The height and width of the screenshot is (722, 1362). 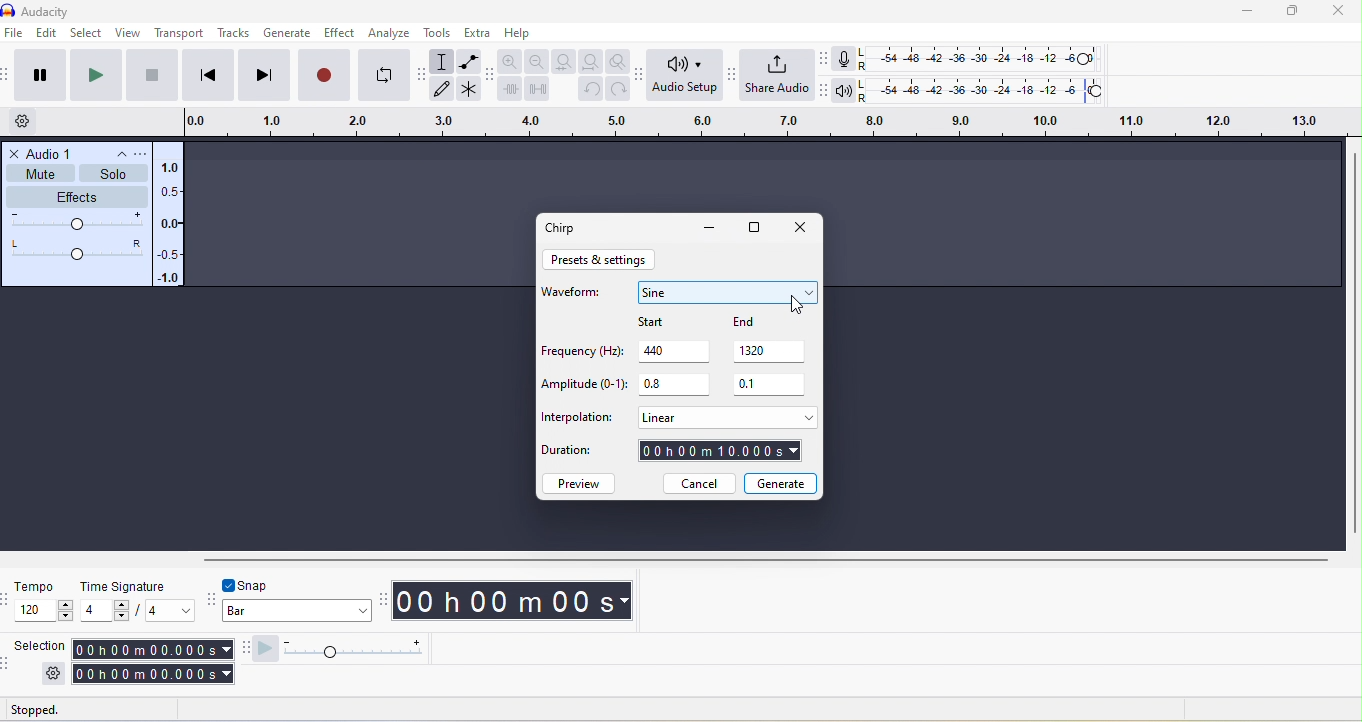 What do you see at coordinates (171, 224) in the screenshot?
I see `amplitude` at bounding box center [171, 224].